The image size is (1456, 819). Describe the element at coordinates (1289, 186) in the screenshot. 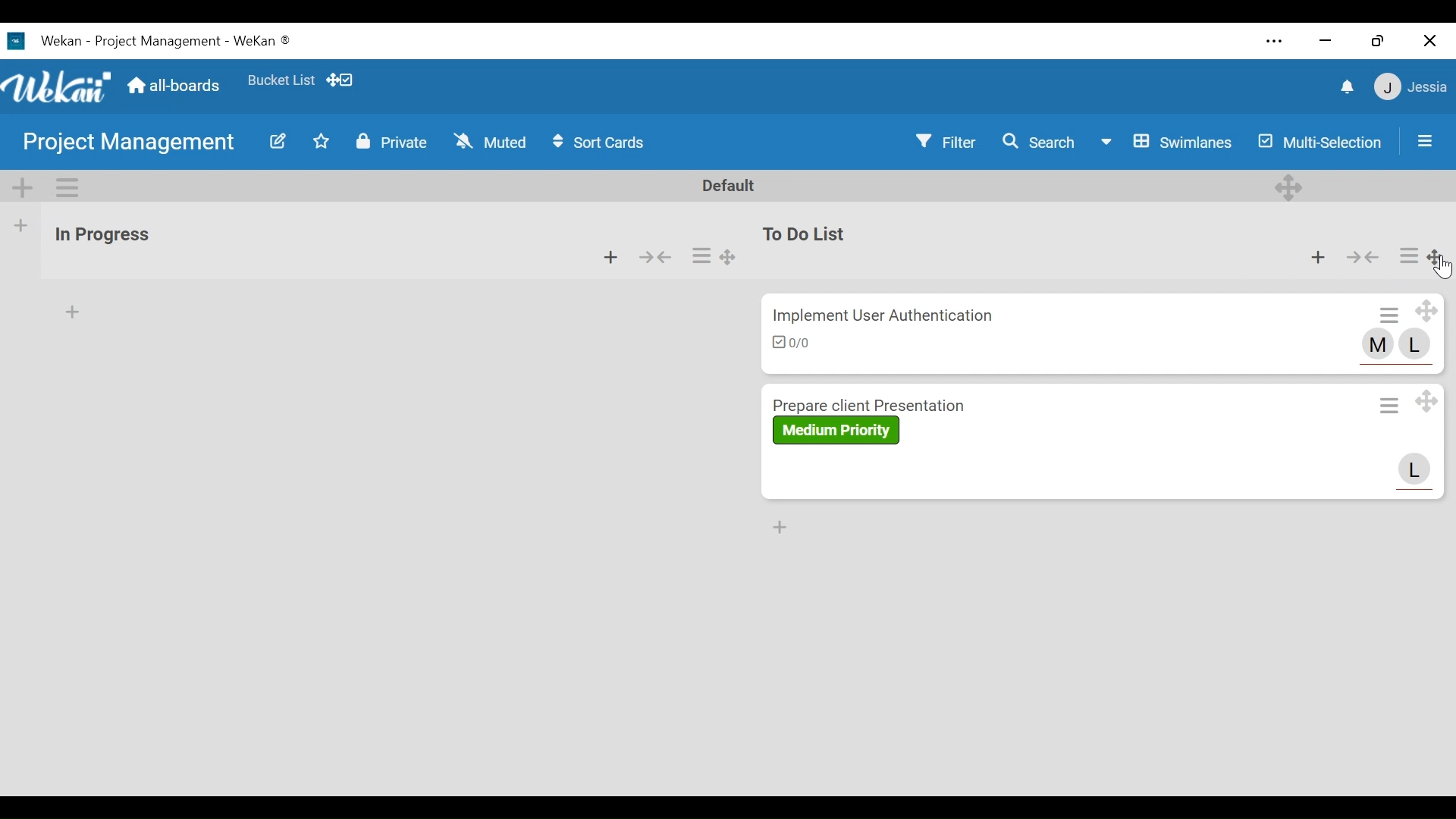

I see `Desktop drag handles` at that location.